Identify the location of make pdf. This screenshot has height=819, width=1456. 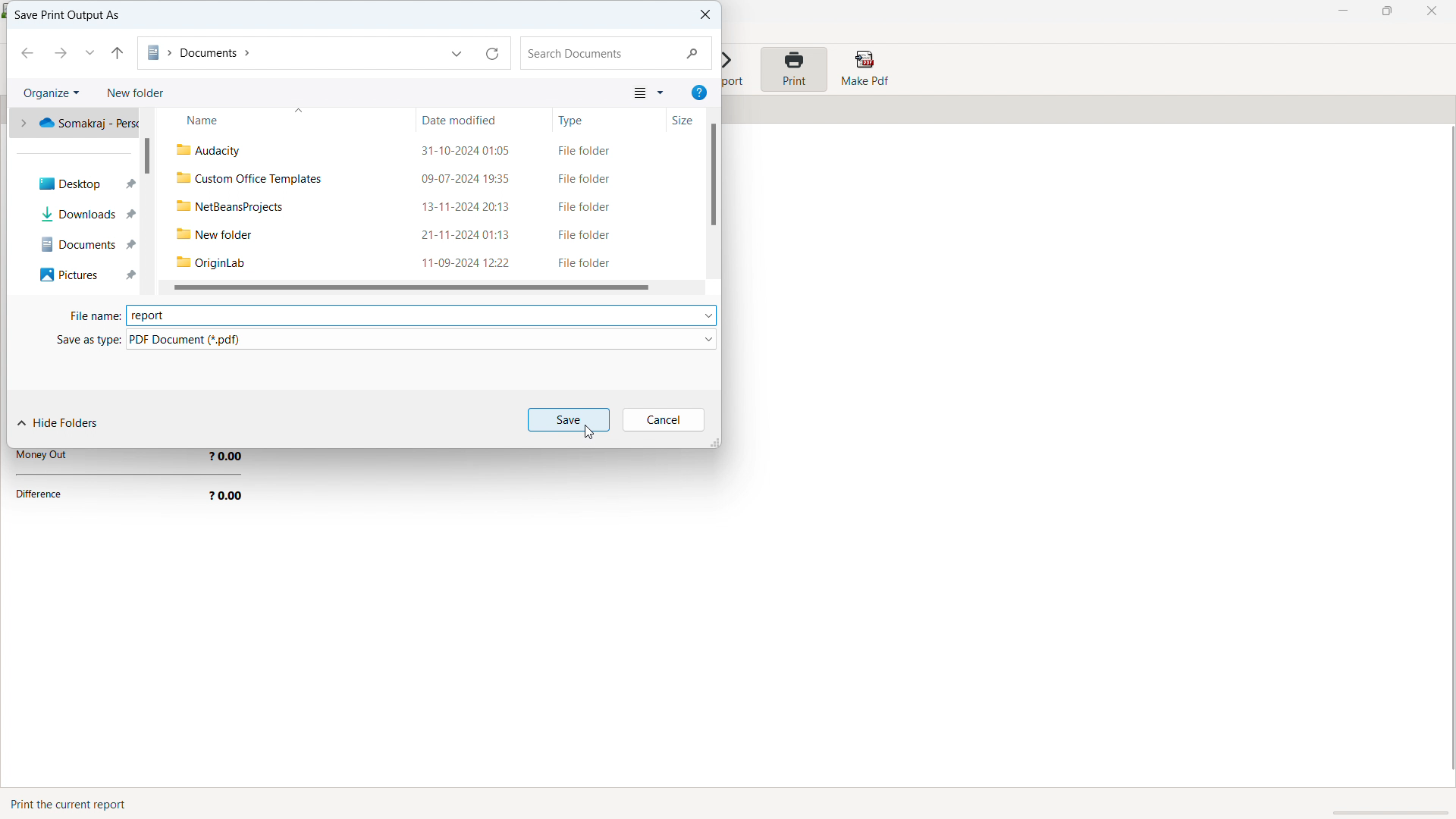
(864, 69).